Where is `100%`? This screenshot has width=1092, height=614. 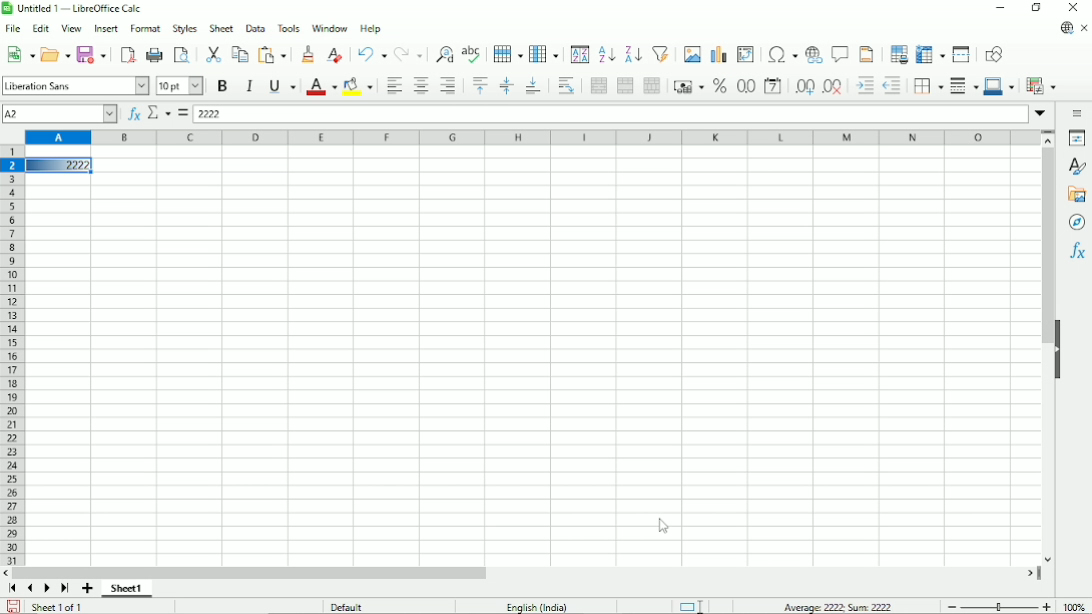
100% is located at coordinates (1074, 606).